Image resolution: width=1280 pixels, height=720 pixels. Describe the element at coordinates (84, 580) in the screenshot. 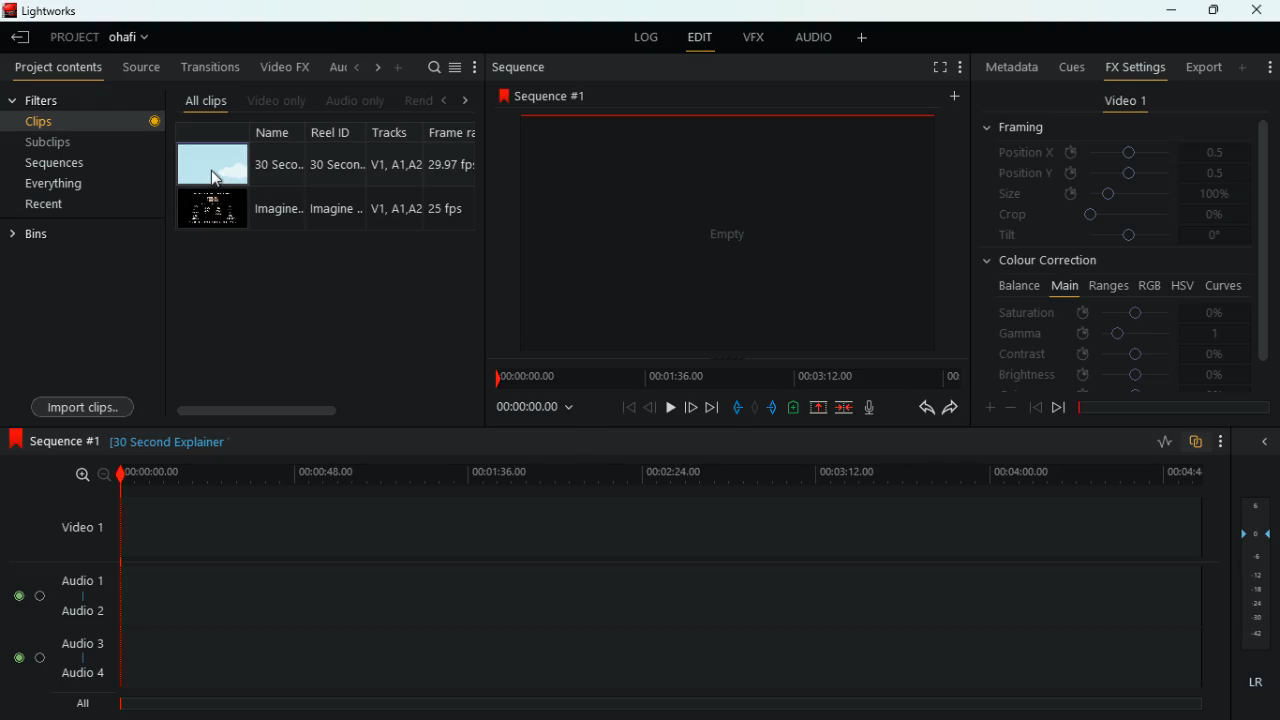

I see `audio 1` at that location.